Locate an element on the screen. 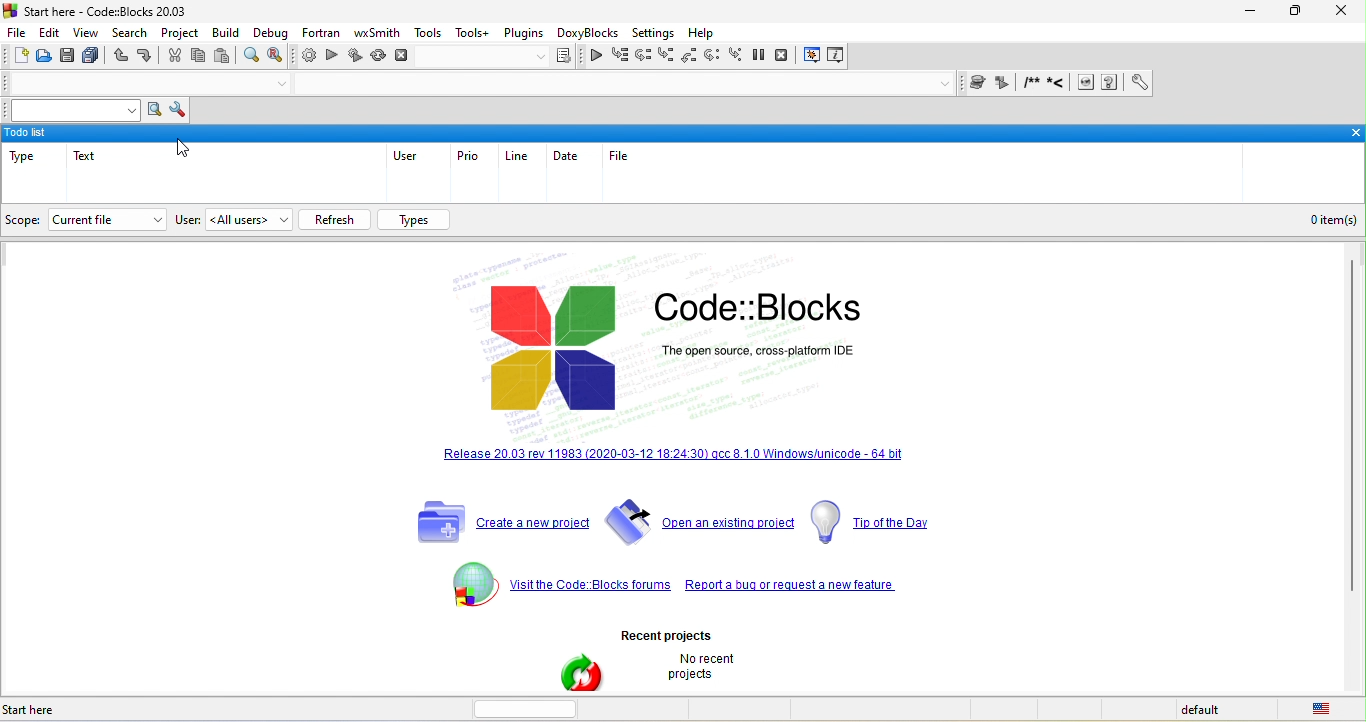 This screenshot has height=722, width=1366. text is located at coordinates (100, 166).